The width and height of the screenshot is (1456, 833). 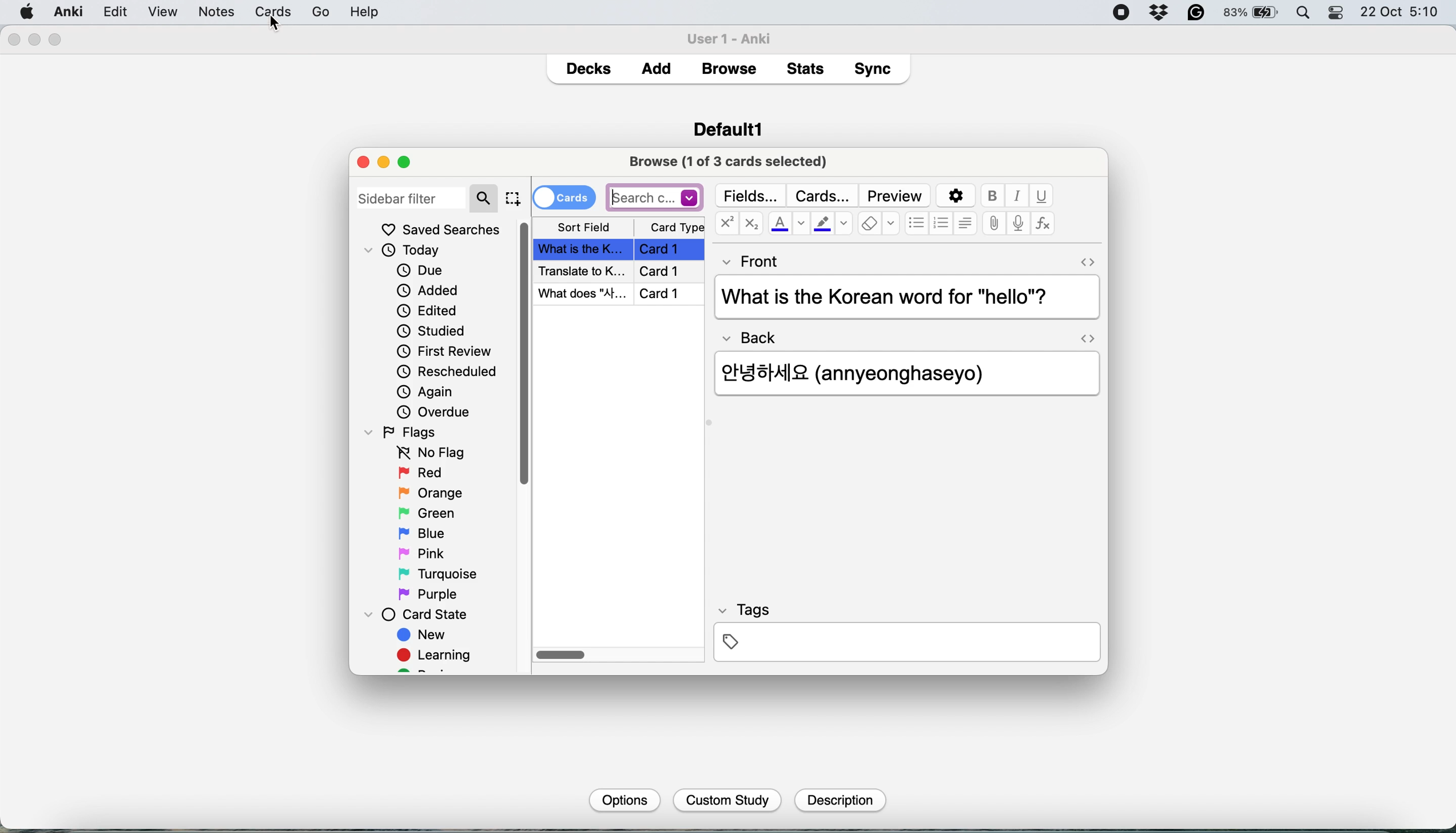 What do you see at coordinates (444, 353) in the screenshot?
I see `first review` at bounding box center [444, 353].